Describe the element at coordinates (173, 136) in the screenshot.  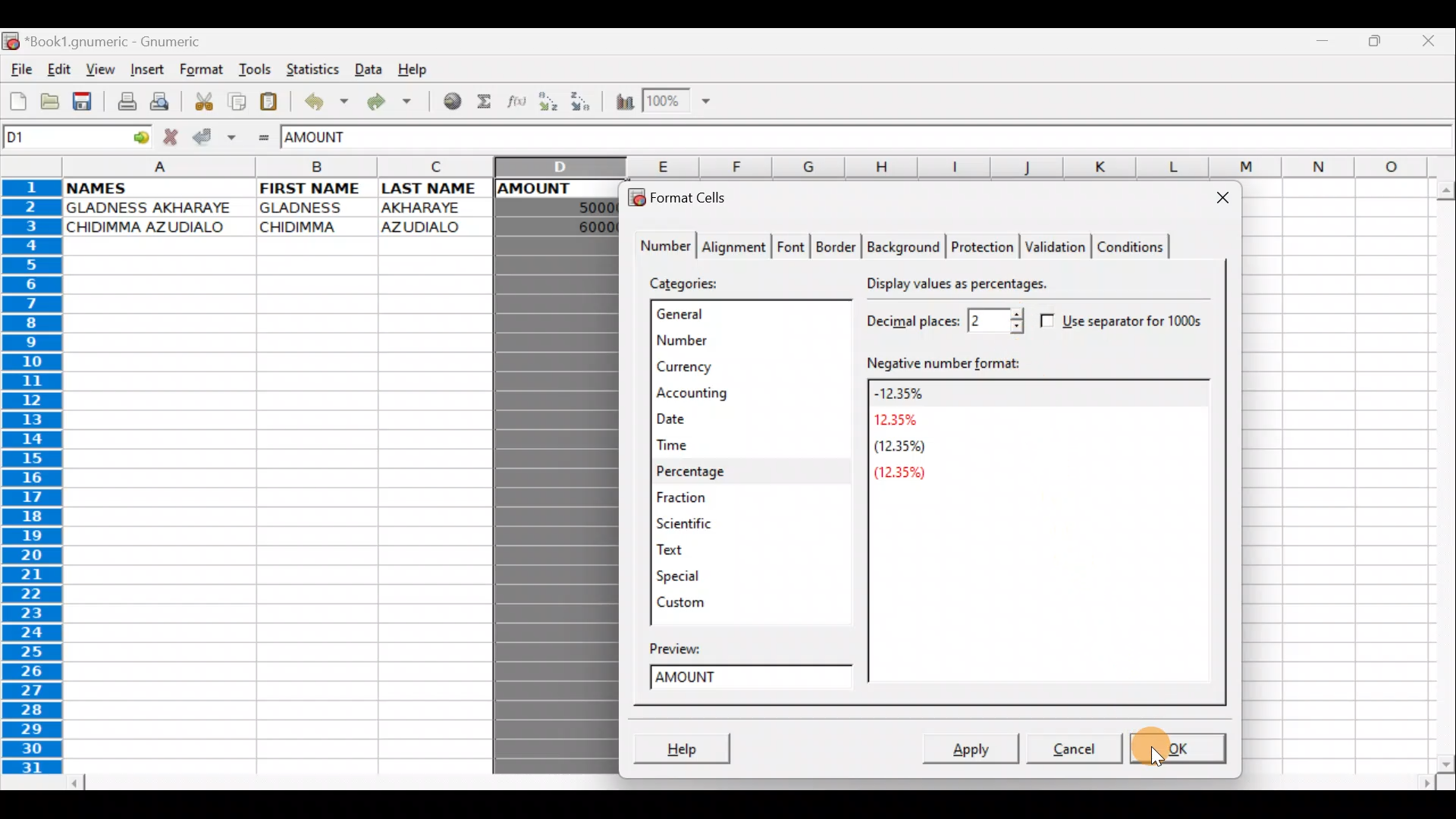
I see `Cancel change` at that location.